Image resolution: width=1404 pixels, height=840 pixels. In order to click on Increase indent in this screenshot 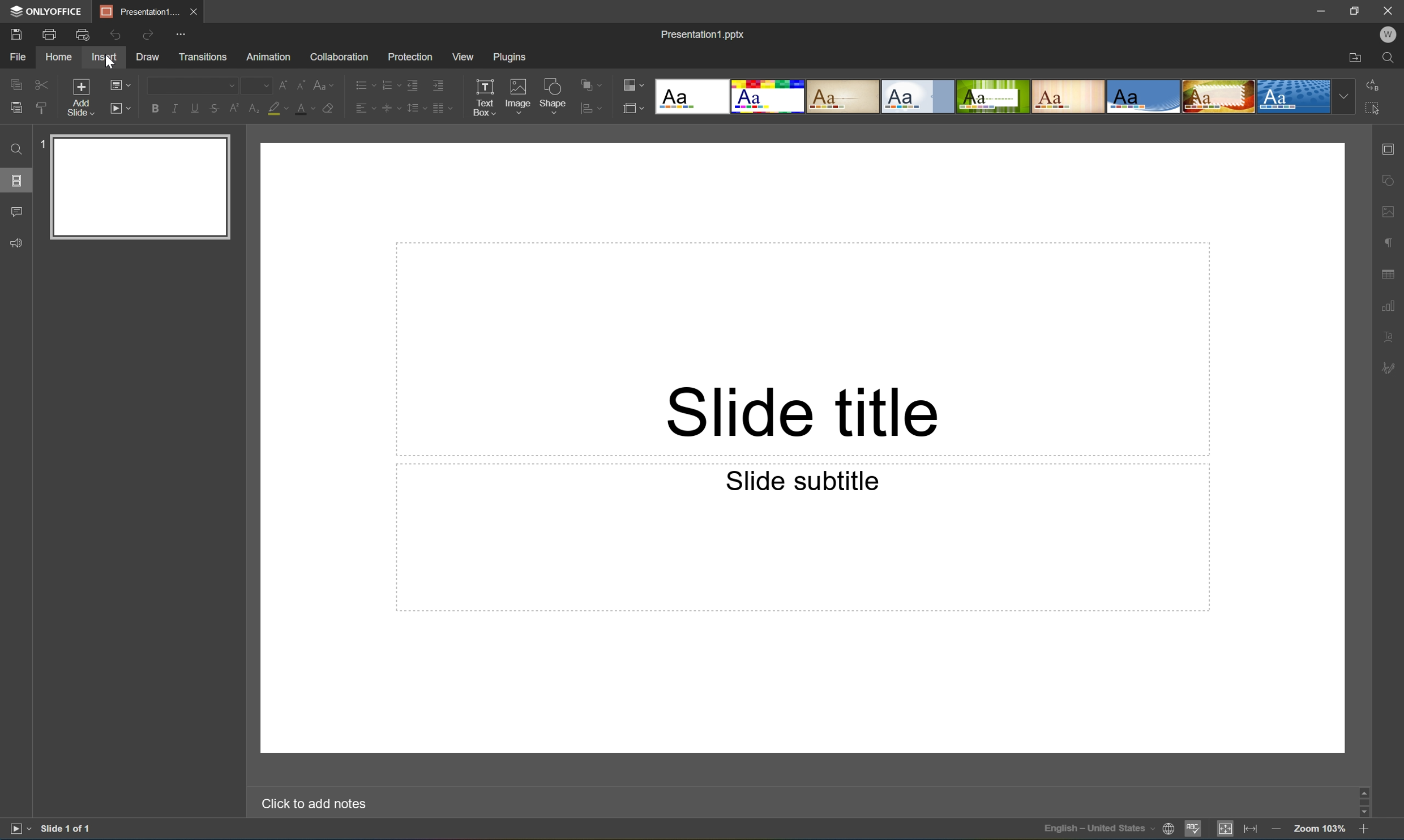, I will do `click(439, 84)`.